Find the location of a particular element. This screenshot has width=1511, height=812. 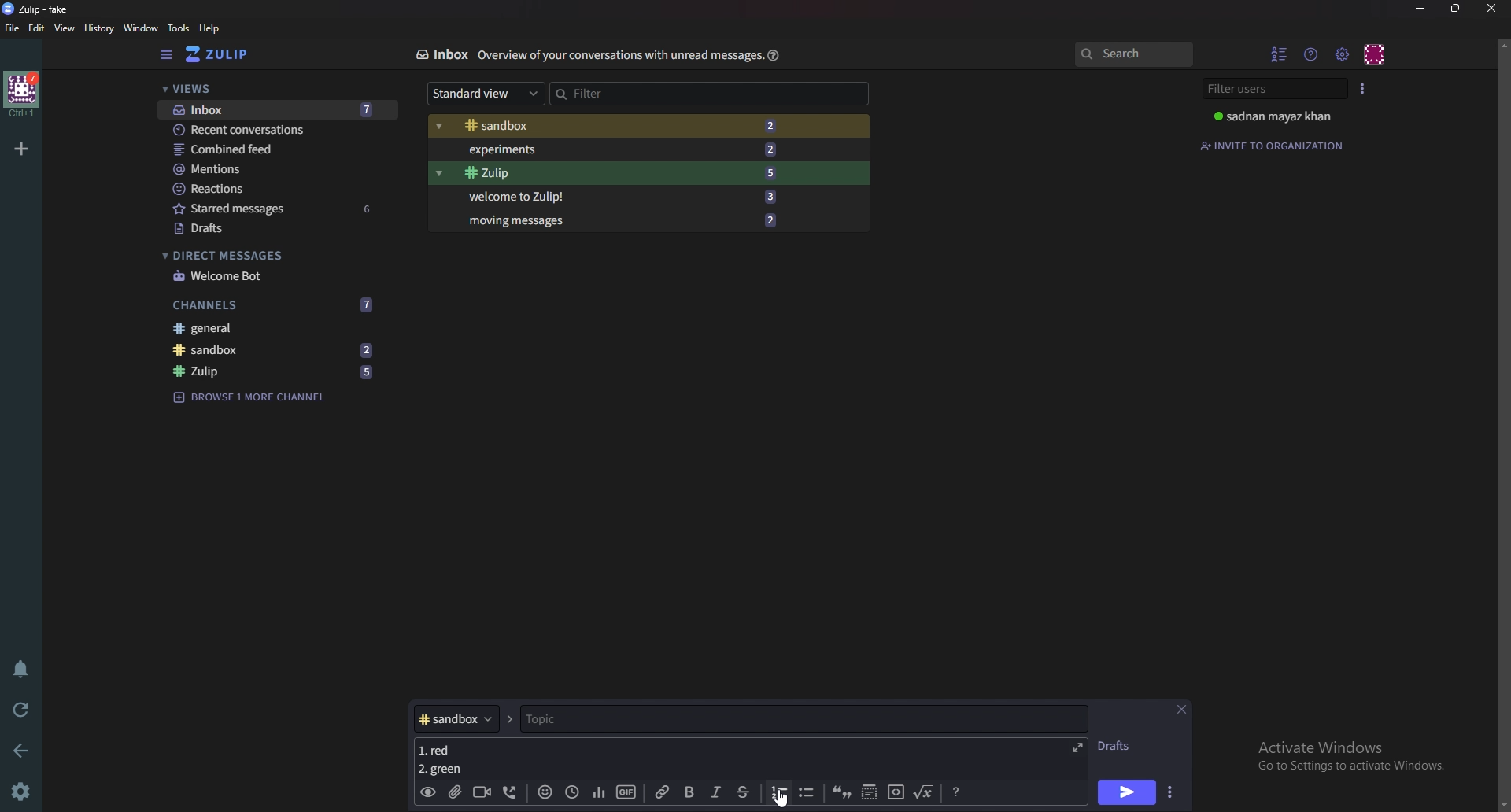

Global time is located at coordinates (571, 791).